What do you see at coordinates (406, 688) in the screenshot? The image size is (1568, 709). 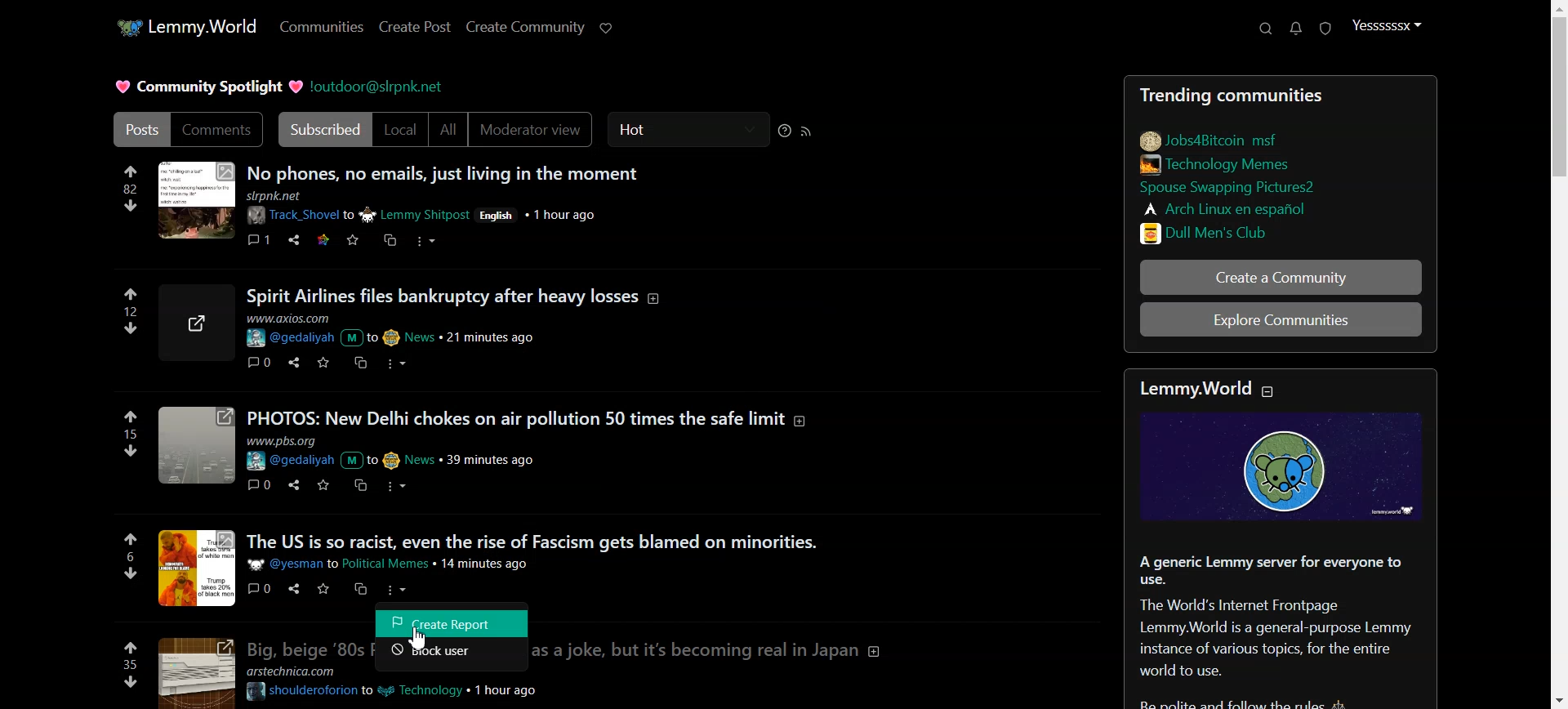 I see `post details` at bounding box center [406, 688].